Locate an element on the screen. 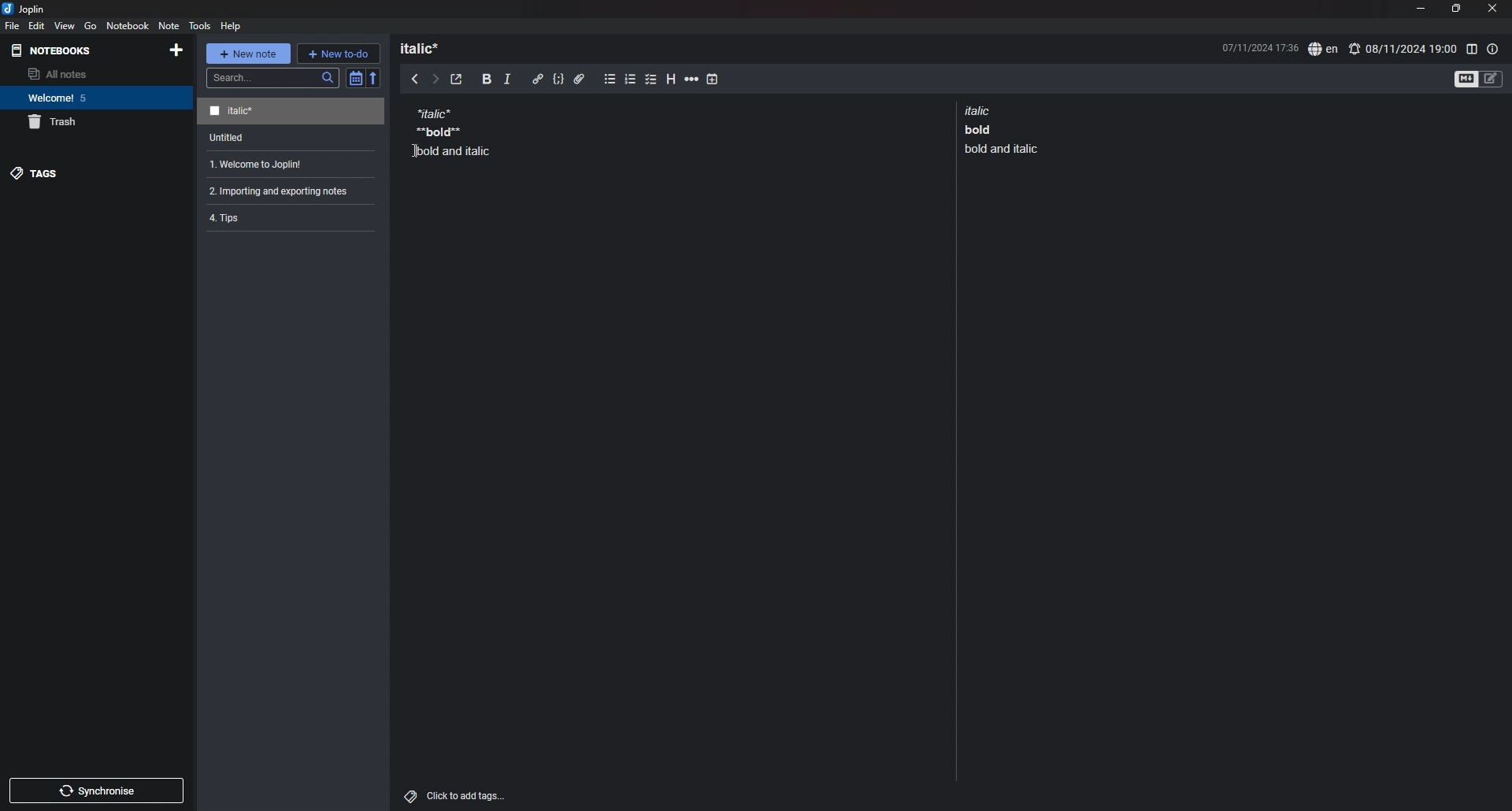 The height and width of the screenshot is (811, 1512). horizontal rule is located at coordinates (691, 81).